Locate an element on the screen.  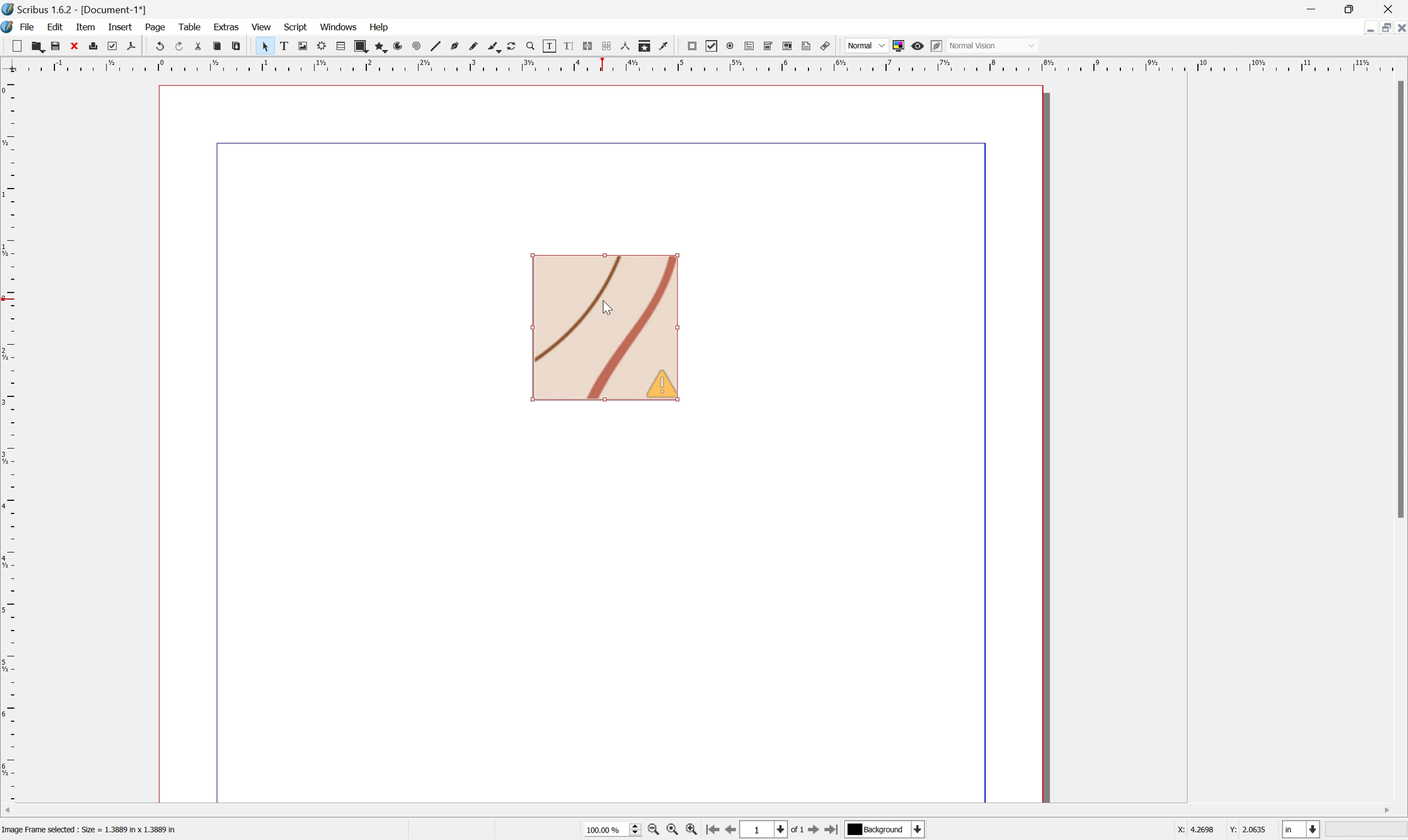
Copy is located at coordinates (220, 45).